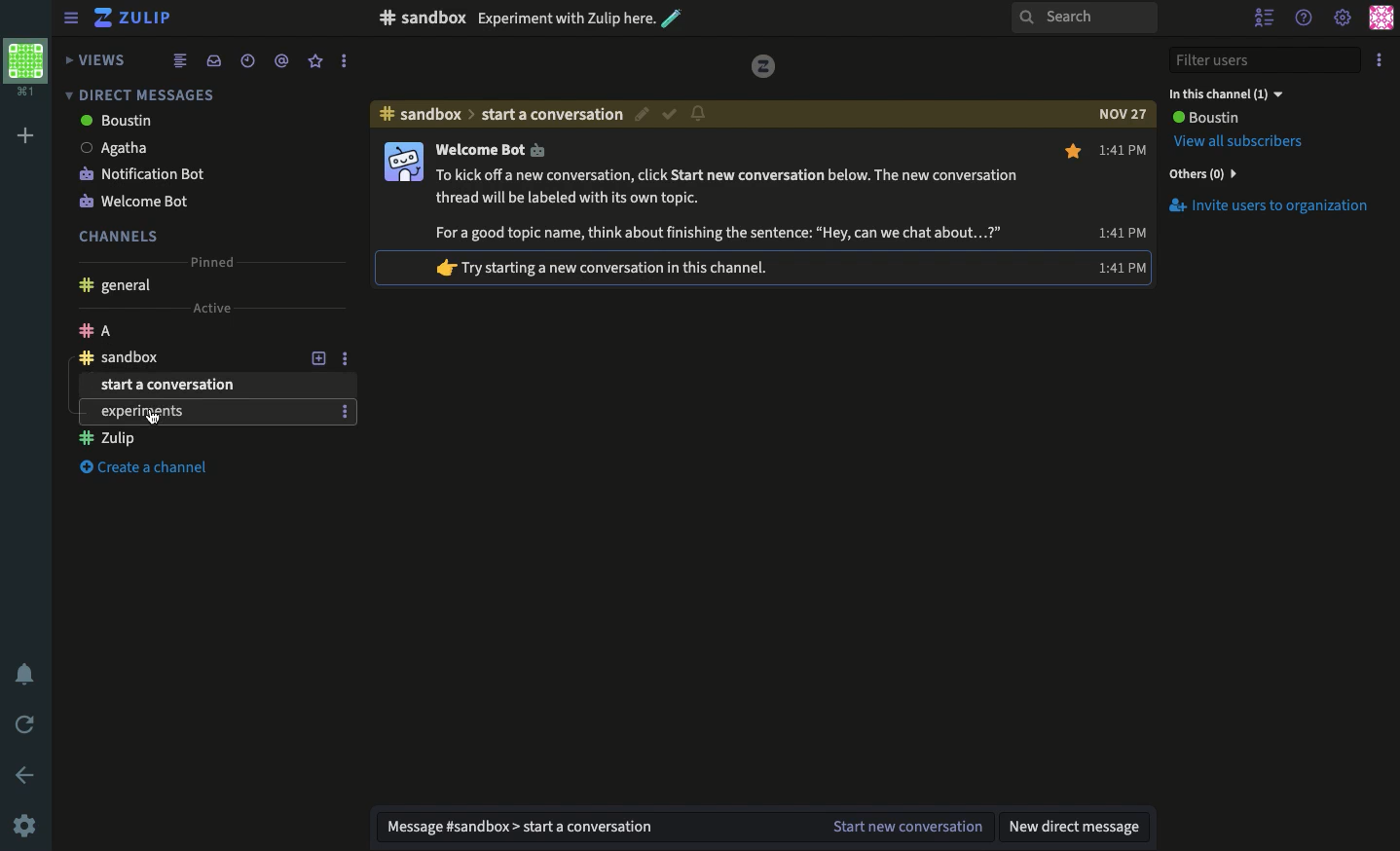  I want to click on #sandbox, so click(421, 114).